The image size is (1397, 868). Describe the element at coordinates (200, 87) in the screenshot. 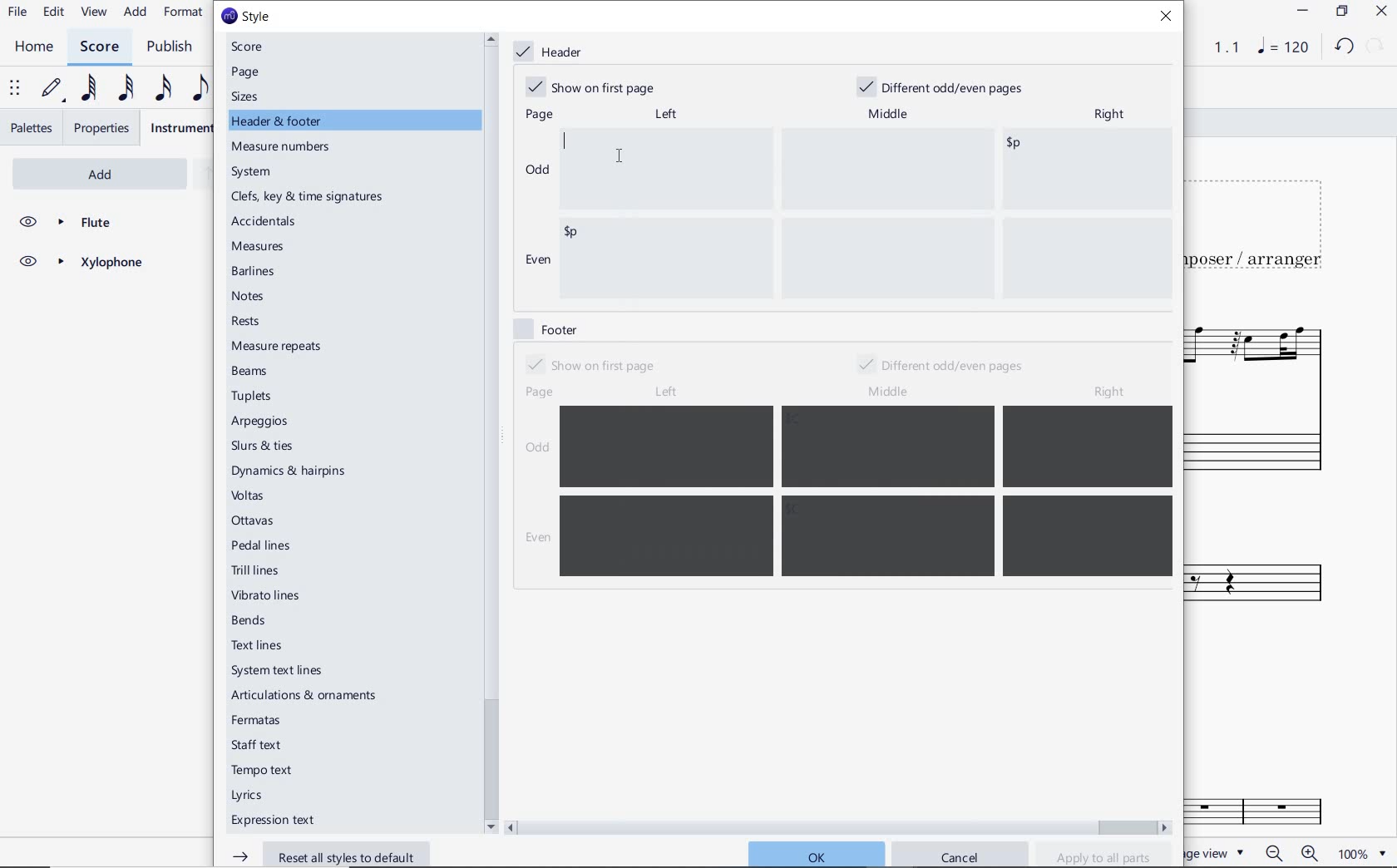

I see `EIGHTH NOTE` at that location.